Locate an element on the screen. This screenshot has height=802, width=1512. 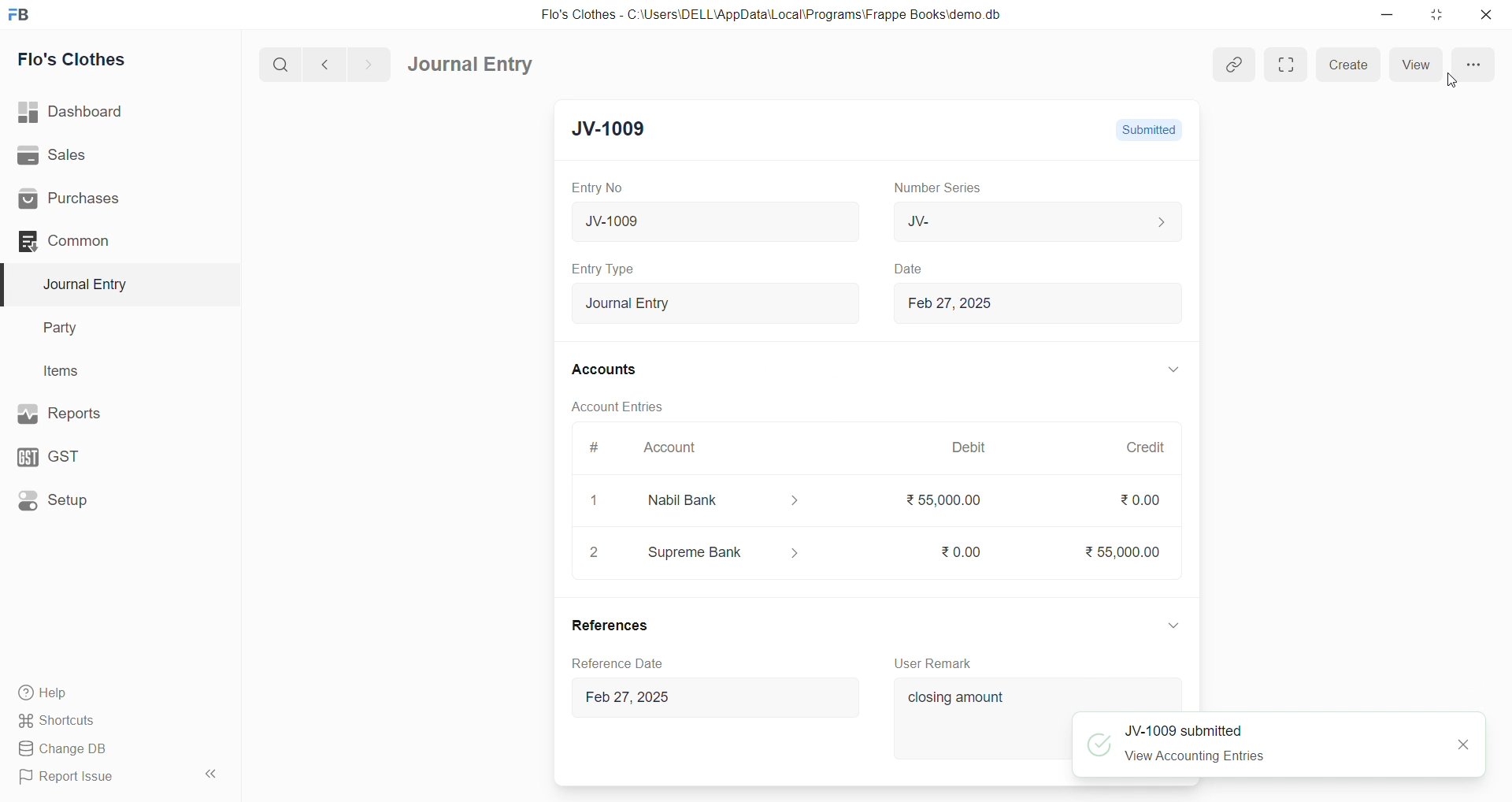
Shortcuts is located at coordinates (95, 722).